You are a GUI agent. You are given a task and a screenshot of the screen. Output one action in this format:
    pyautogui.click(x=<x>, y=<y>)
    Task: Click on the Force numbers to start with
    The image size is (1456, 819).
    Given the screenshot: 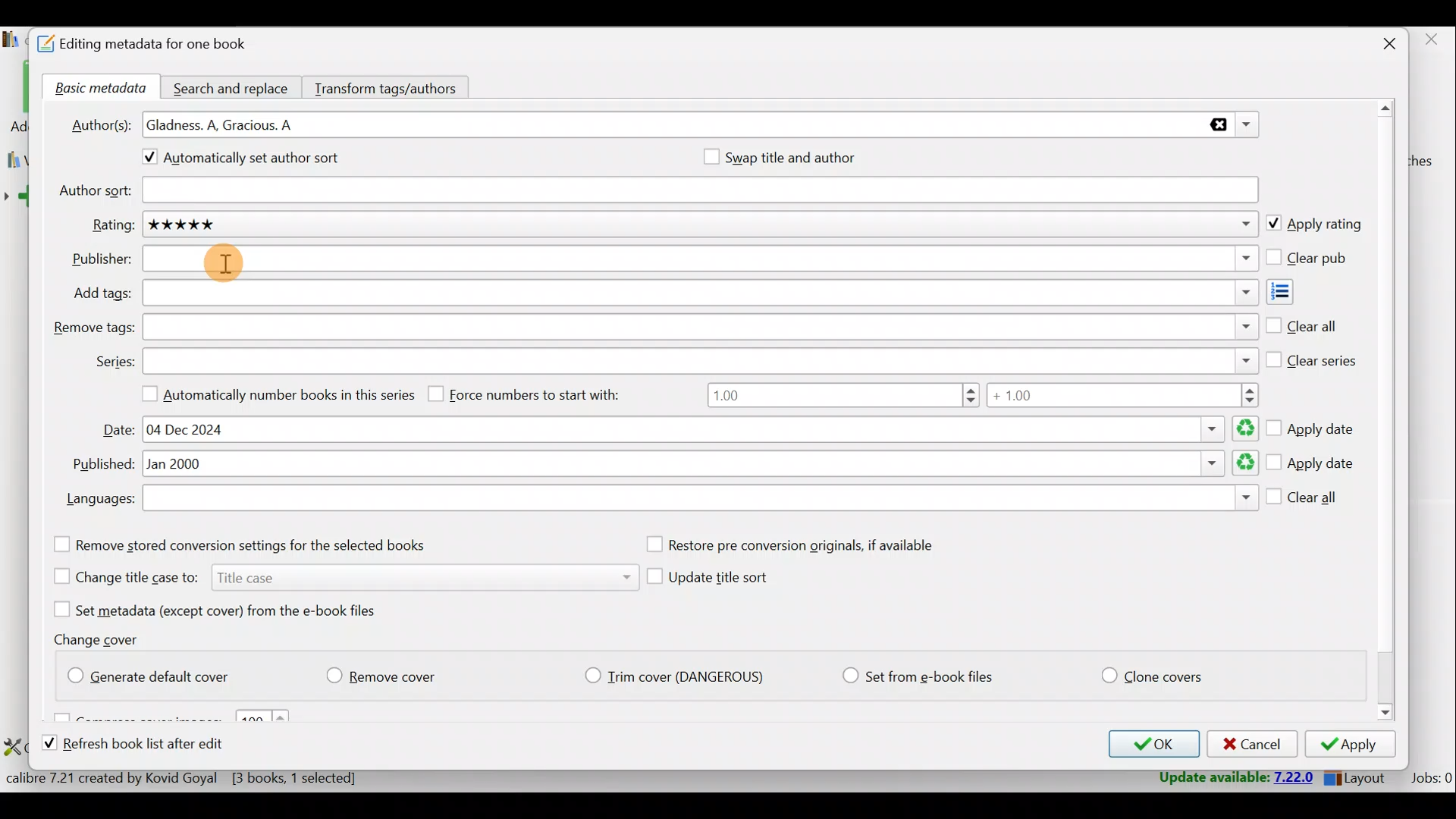 What is the action you would take?
    pyautogui.click(x=535, y=394)
    